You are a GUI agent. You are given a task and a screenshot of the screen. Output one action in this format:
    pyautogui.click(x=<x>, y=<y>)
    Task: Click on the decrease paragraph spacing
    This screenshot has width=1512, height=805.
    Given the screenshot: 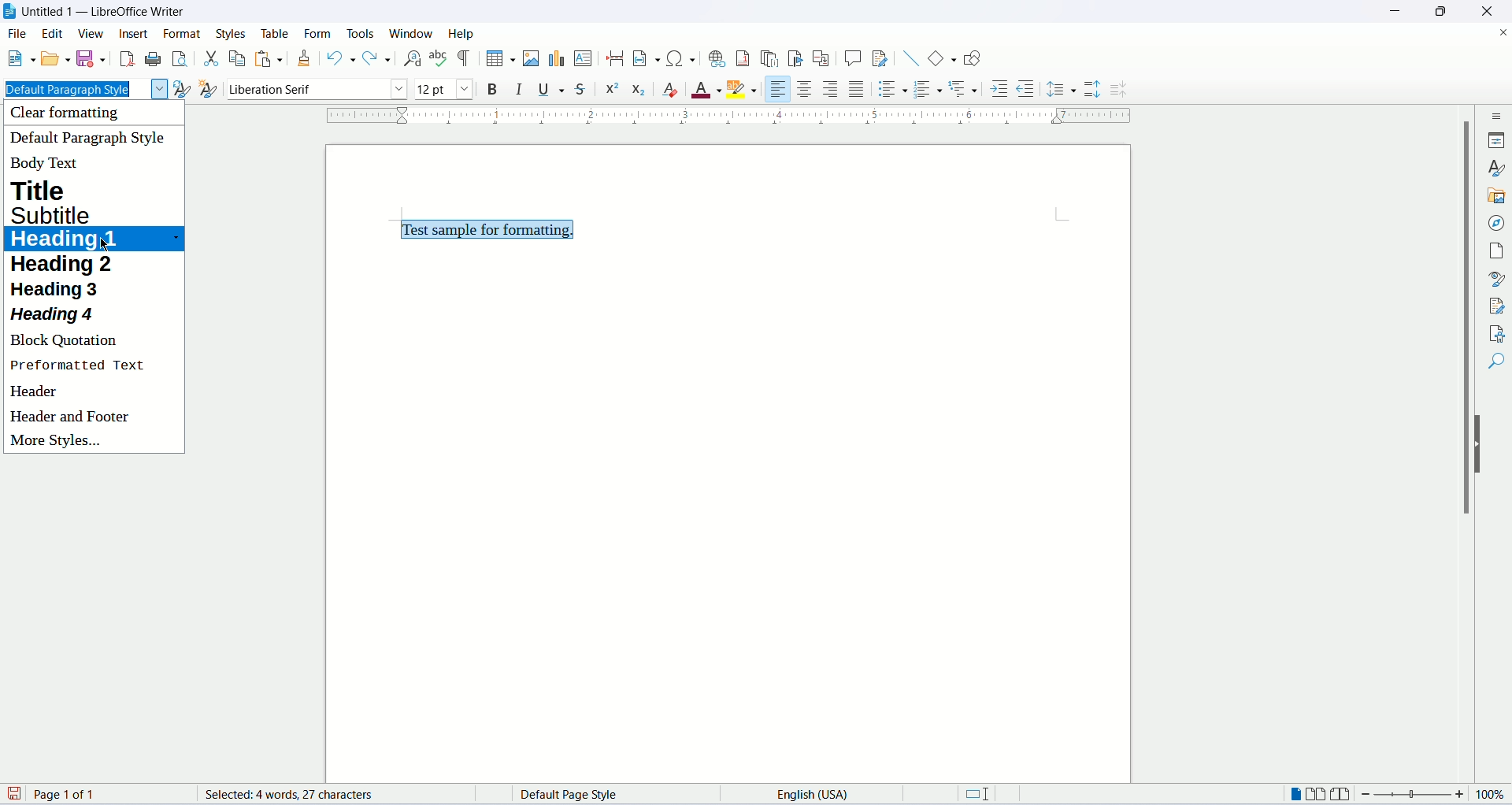 What is the action you would take?
    pyautogui.click(x=1119, y=91)
    